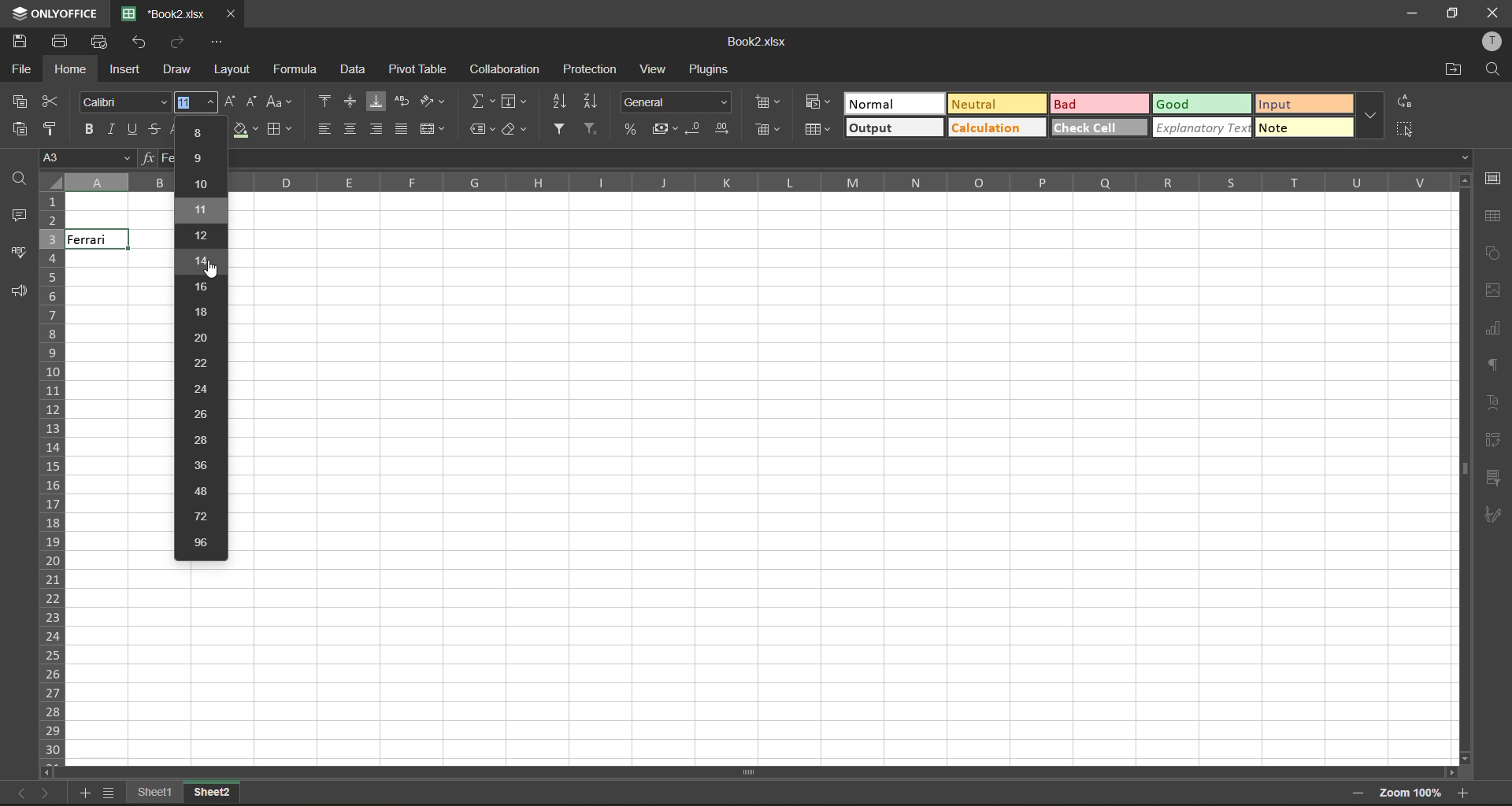 This screenshot has height=806, width=1512. Describe the element at coordinates (201, 312) in the screenshot. I see `18` at that location.